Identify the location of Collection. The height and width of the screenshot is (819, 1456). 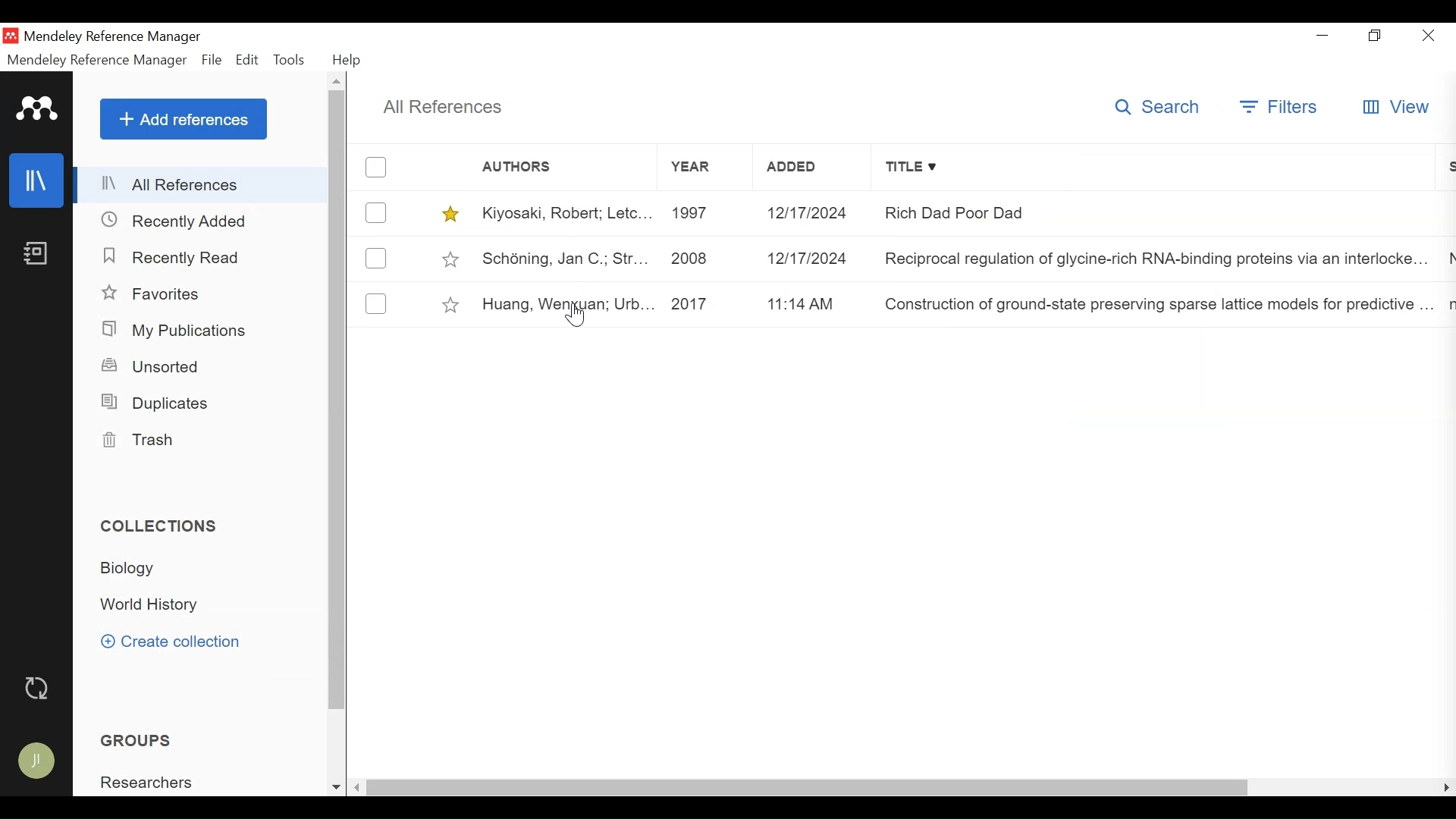
(153, 606).